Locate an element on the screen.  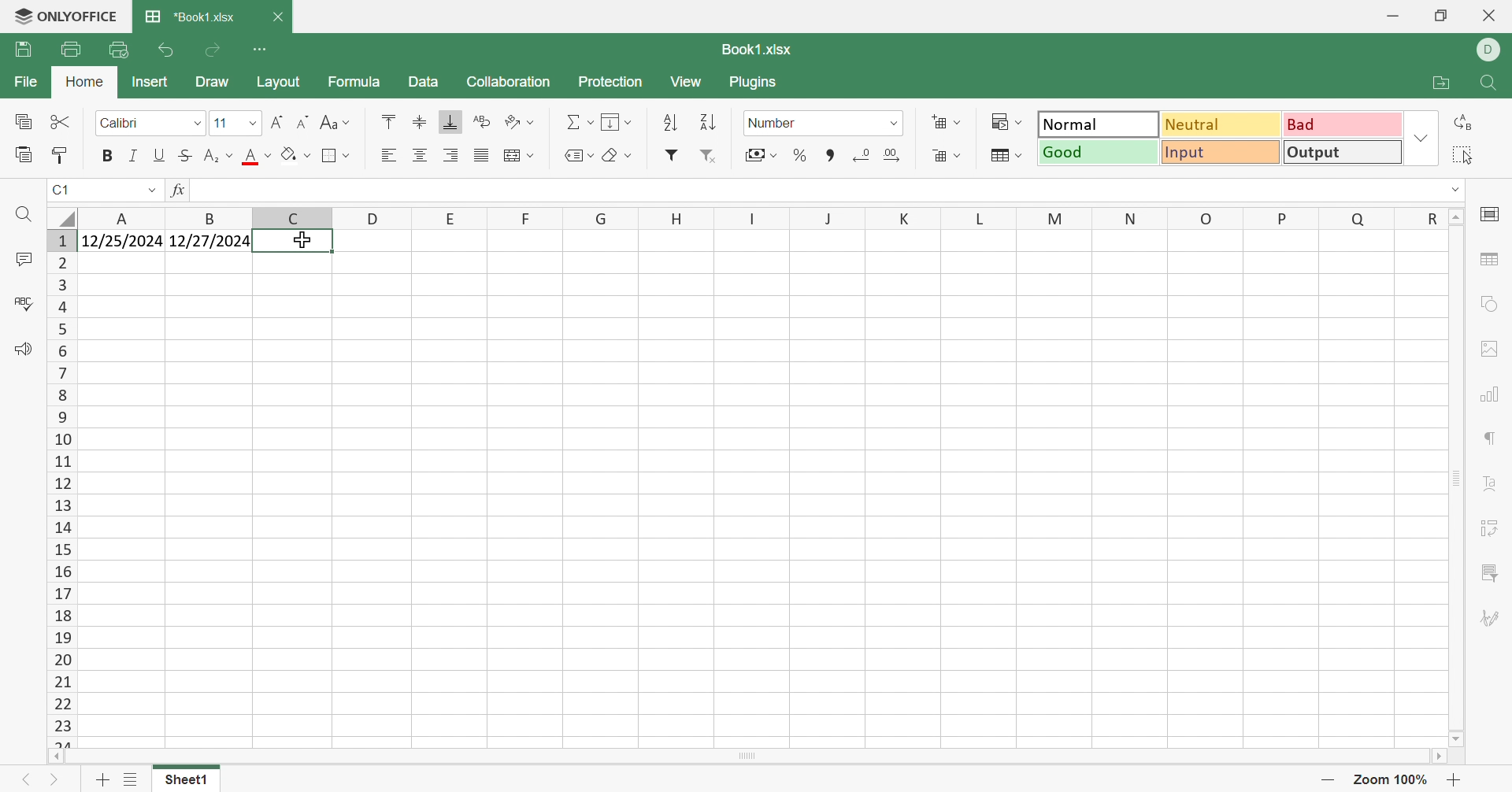
Drop Down is located at coordinates (1421, 137).